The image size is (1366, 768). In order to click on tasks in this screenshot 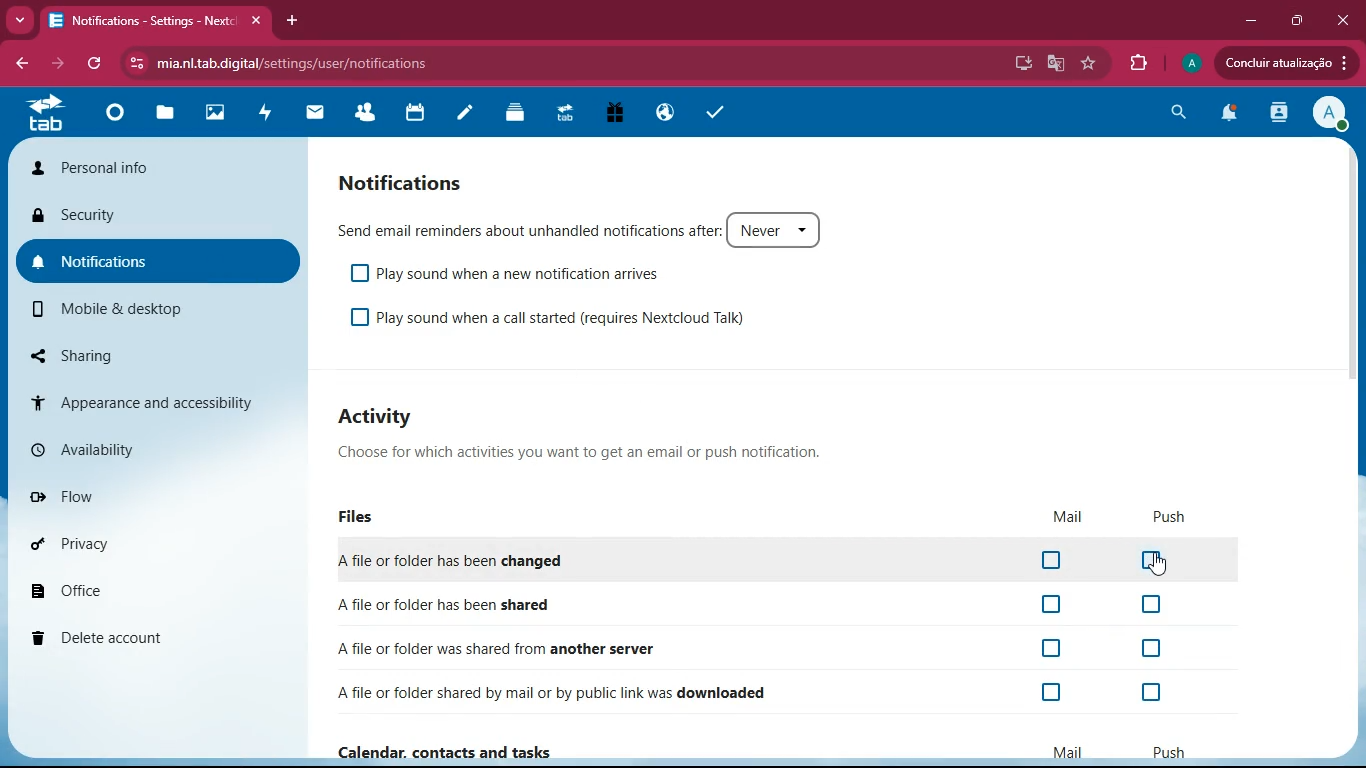, I will do `click(715, 110)`.